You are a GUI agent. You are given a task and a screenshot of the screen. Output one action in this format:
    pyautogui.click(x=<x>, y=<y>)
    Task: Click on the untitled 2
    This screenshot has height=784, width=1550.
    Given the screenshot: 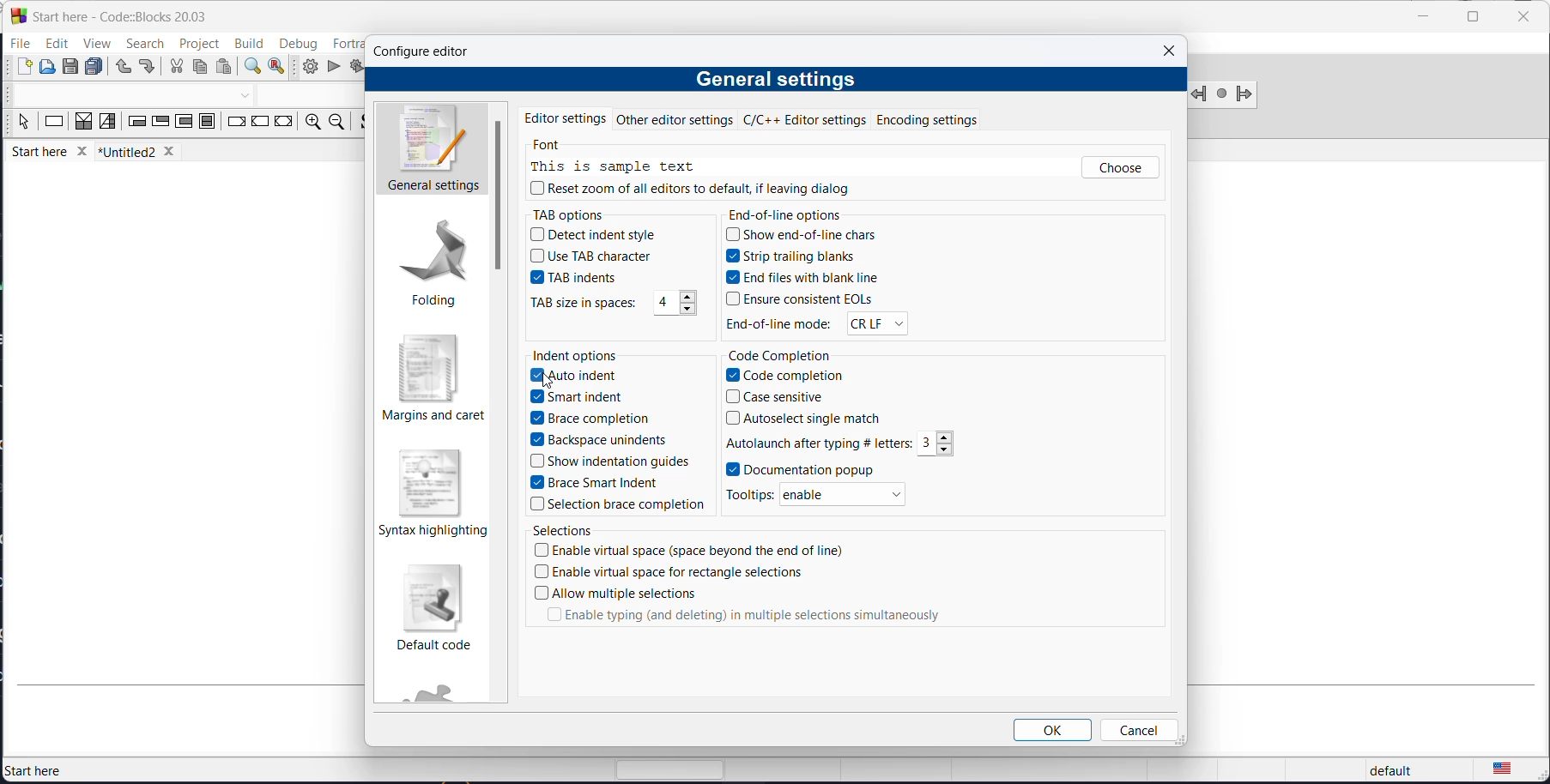 What is the action you would take?
    pyautogui.click(x=143, y=152)
    